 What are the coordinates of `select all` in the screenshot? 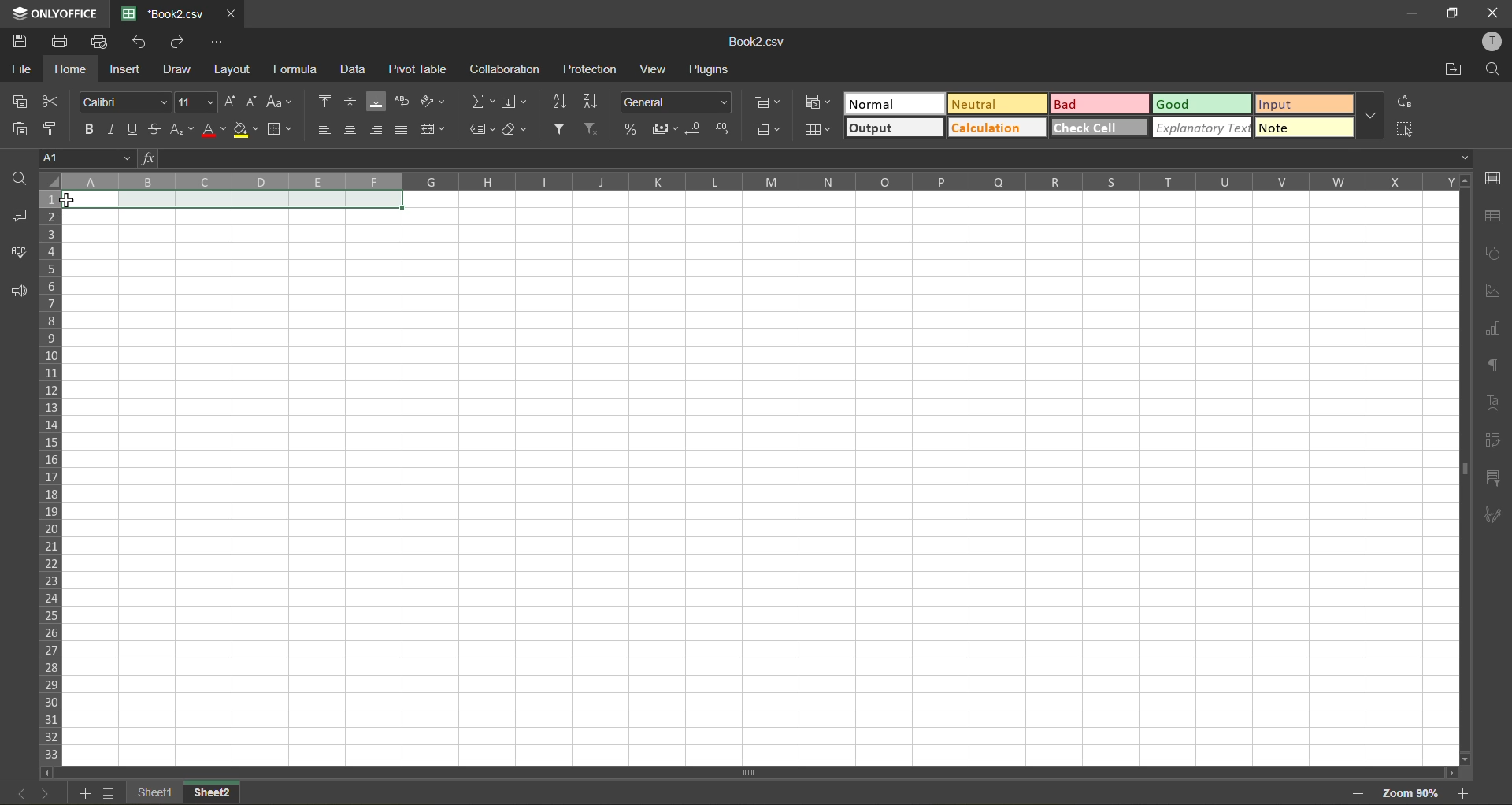 It's located at (1406, 128).